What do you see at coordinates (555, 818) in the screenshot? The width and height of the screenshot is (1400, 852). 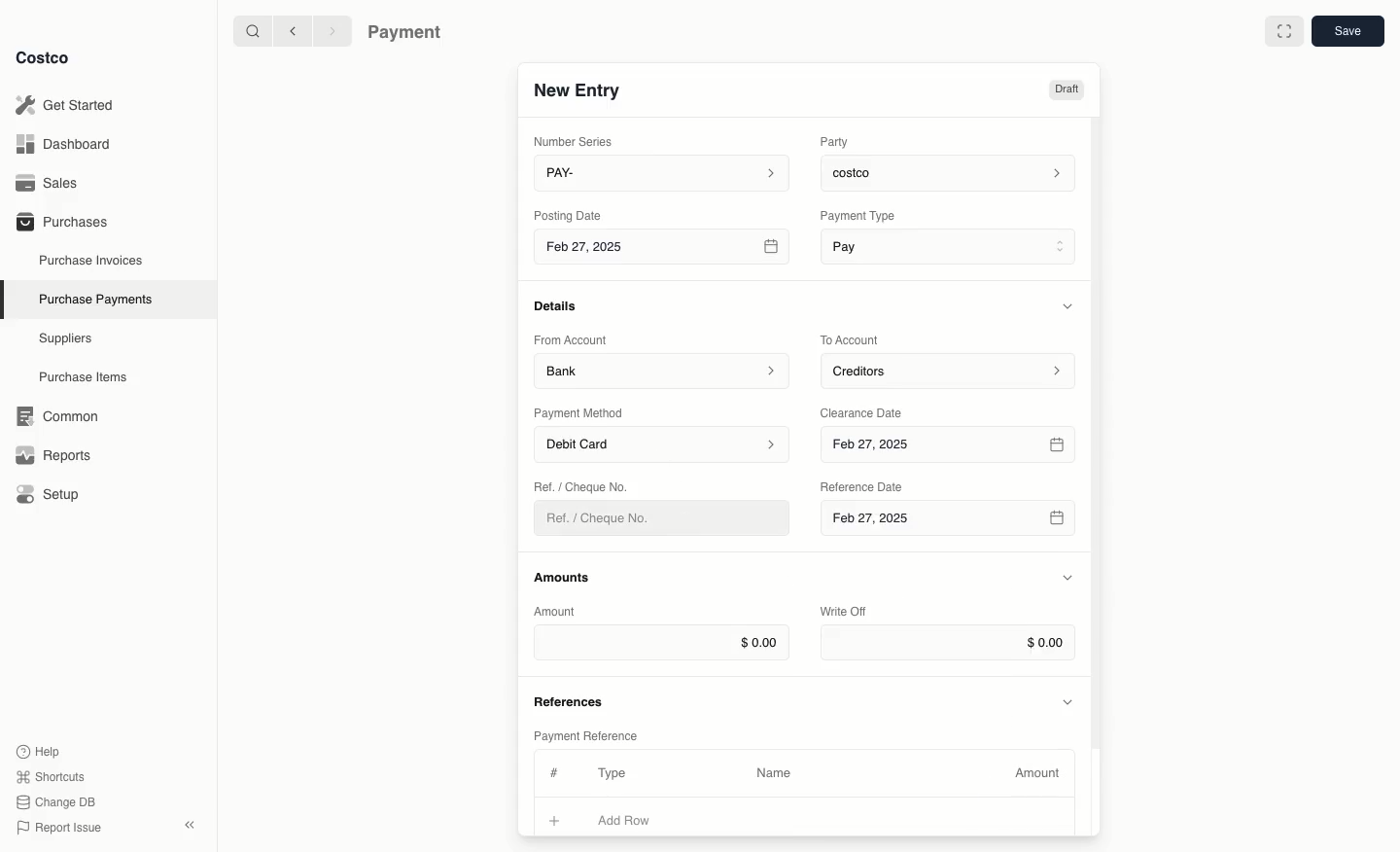 I see `Add` at bounding box center [555, 818].